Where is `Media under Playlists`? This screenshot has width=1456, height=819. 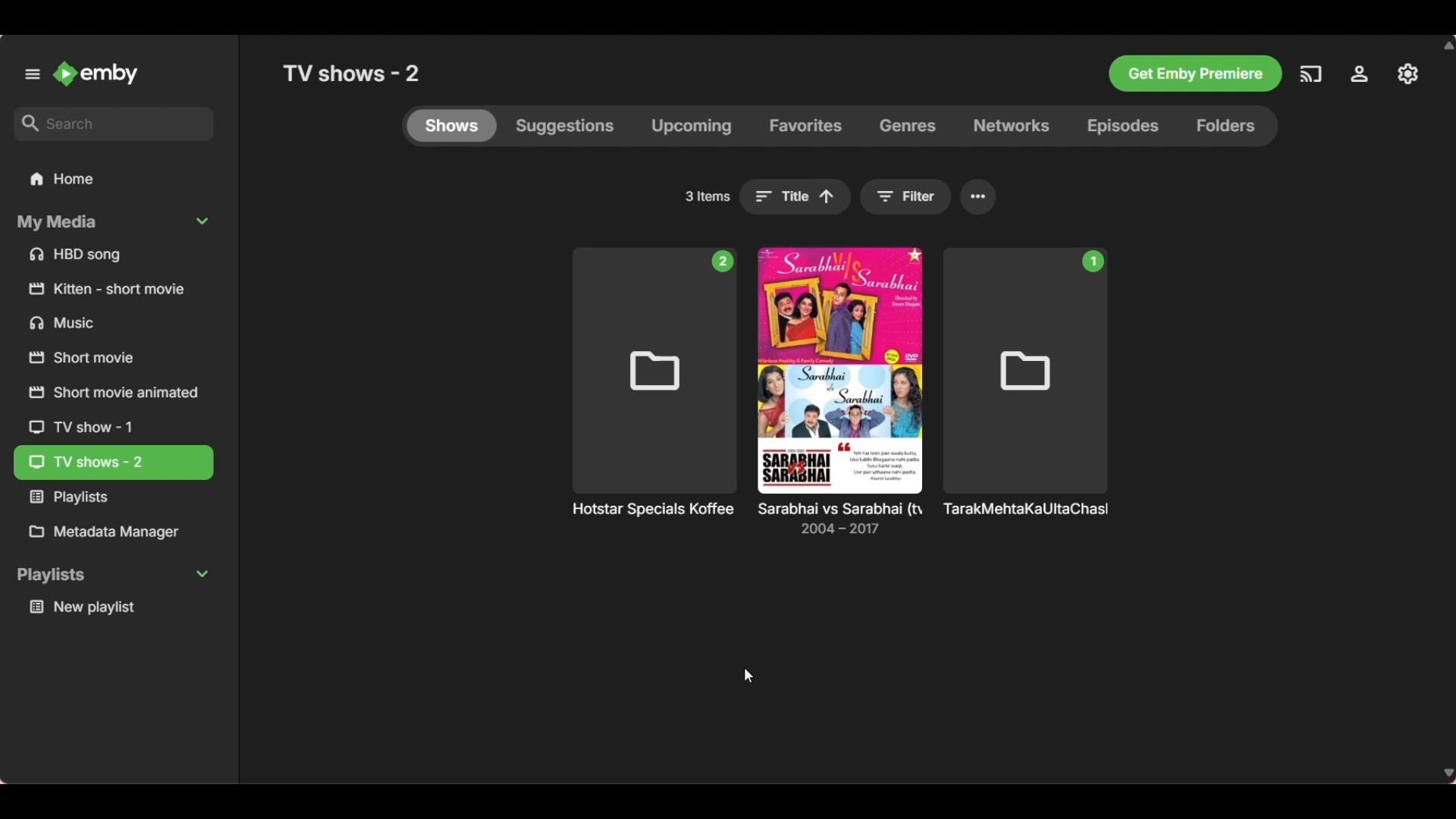 Media under Playlists is located at coordinates (111, 608).